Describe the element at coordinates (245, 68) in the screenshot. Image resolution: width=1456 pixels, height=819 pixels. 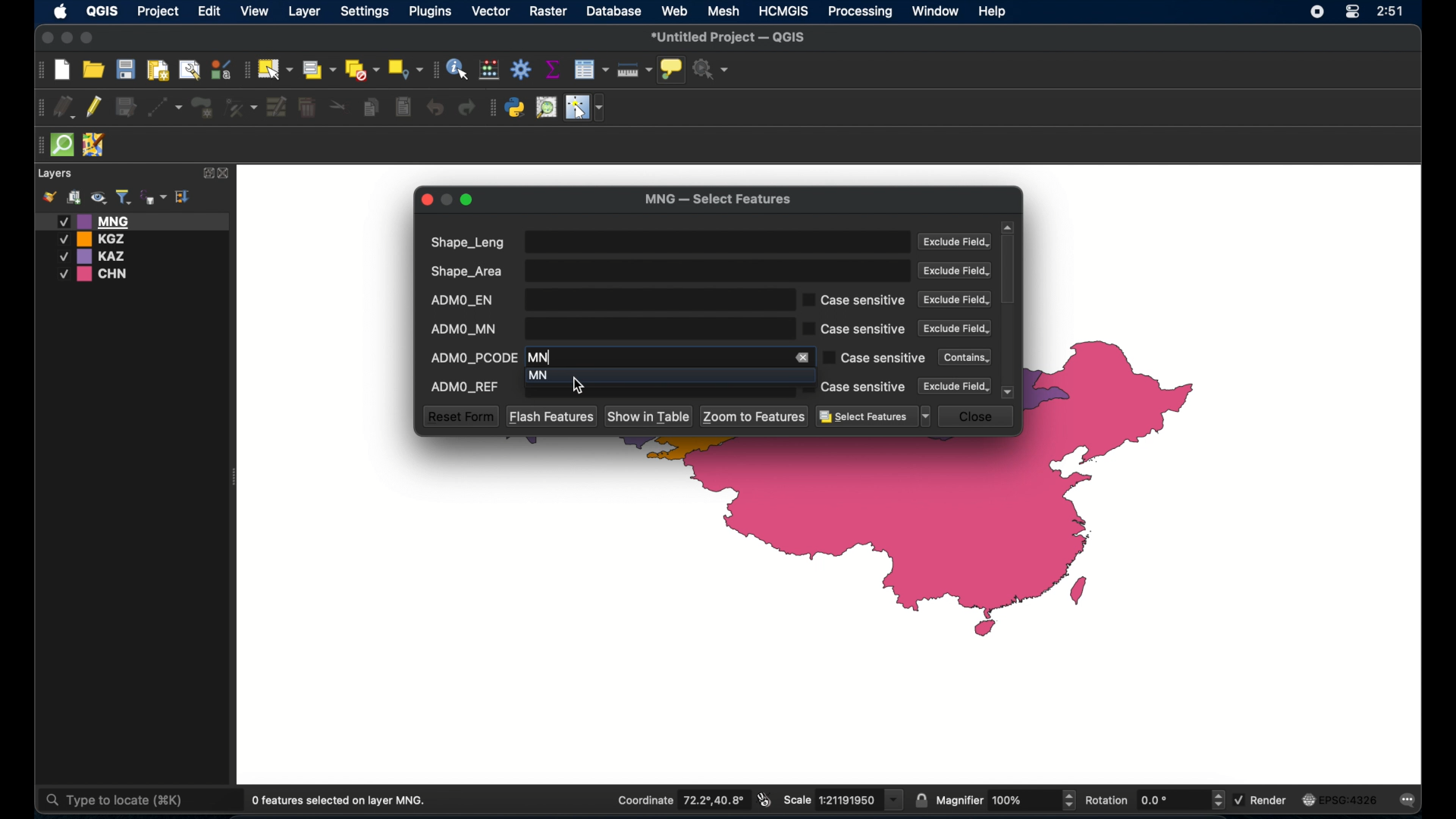
I see `selection toolbar` at that location.